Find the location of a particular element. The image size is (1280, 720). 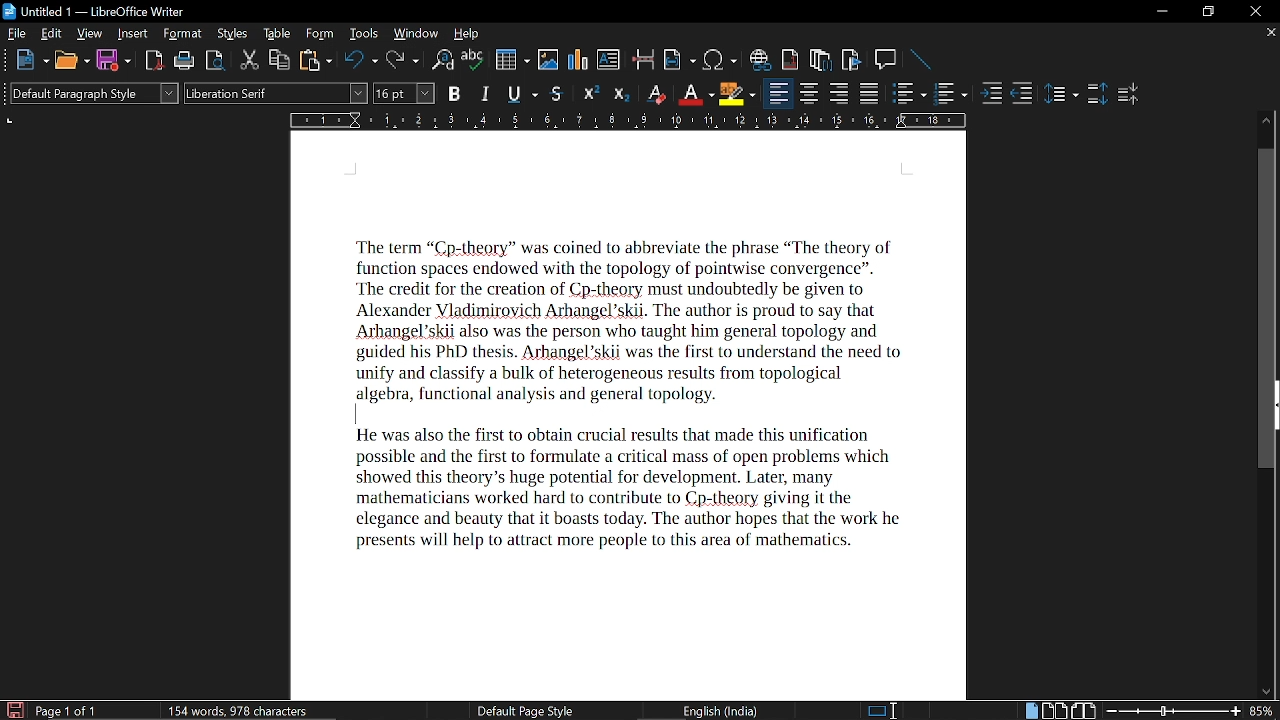

Language: English(India) is located at coordinates (719, 708).